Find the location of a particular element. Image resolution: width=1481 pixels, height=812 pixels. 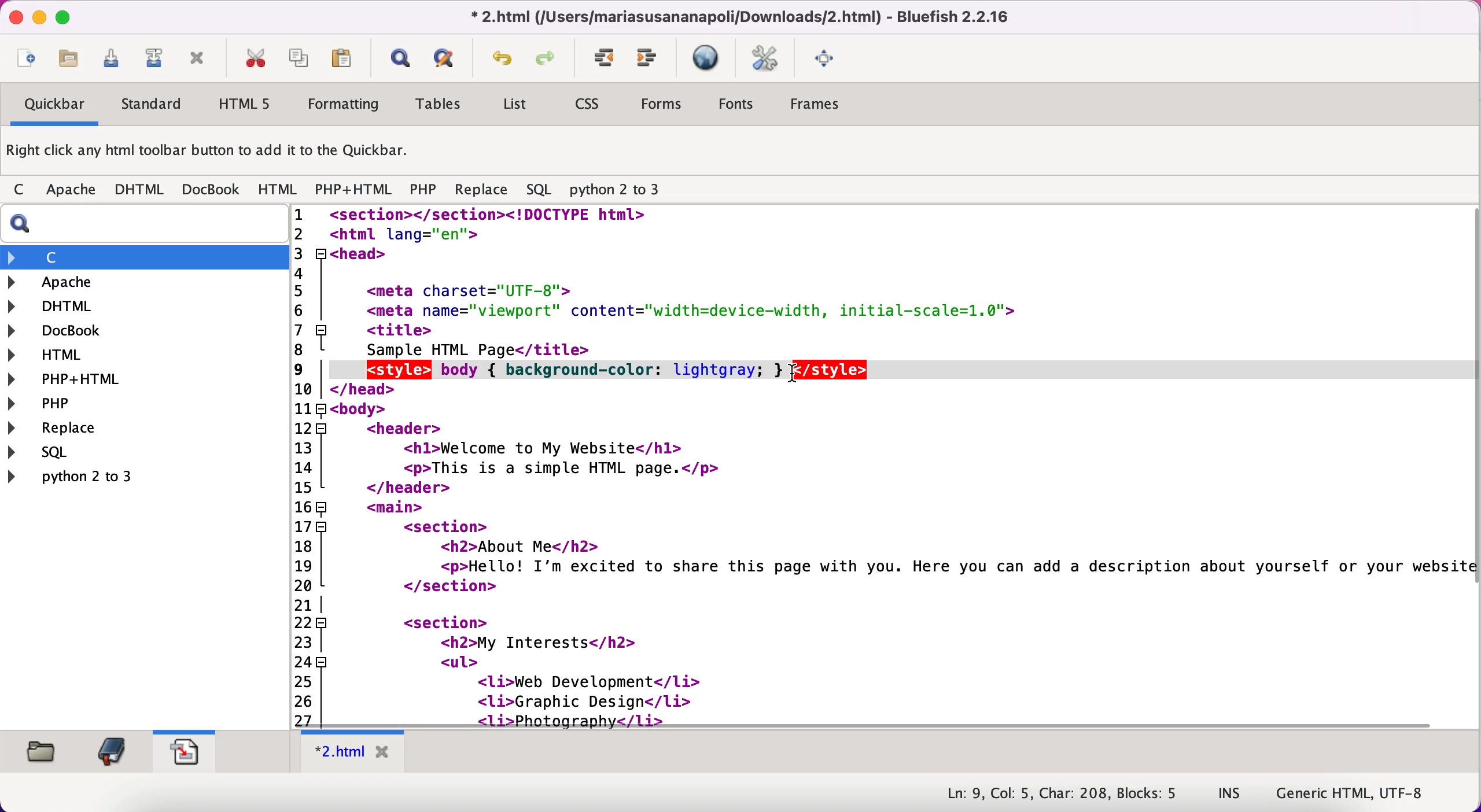

cut is located at coordinates (255, 58).